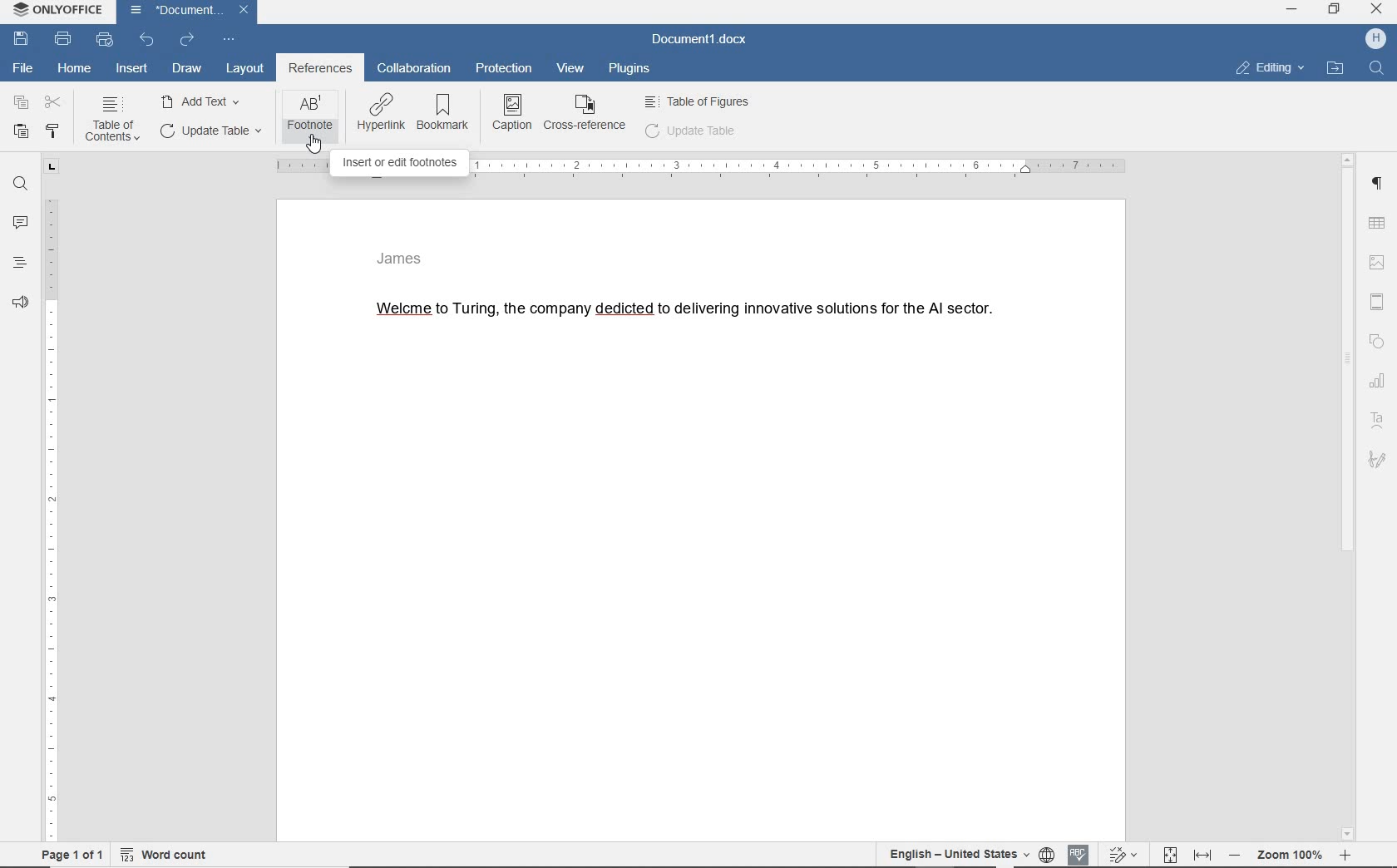 This screenshot has height=868, width=1397. I want to click on bookmark, so click(446, 114).